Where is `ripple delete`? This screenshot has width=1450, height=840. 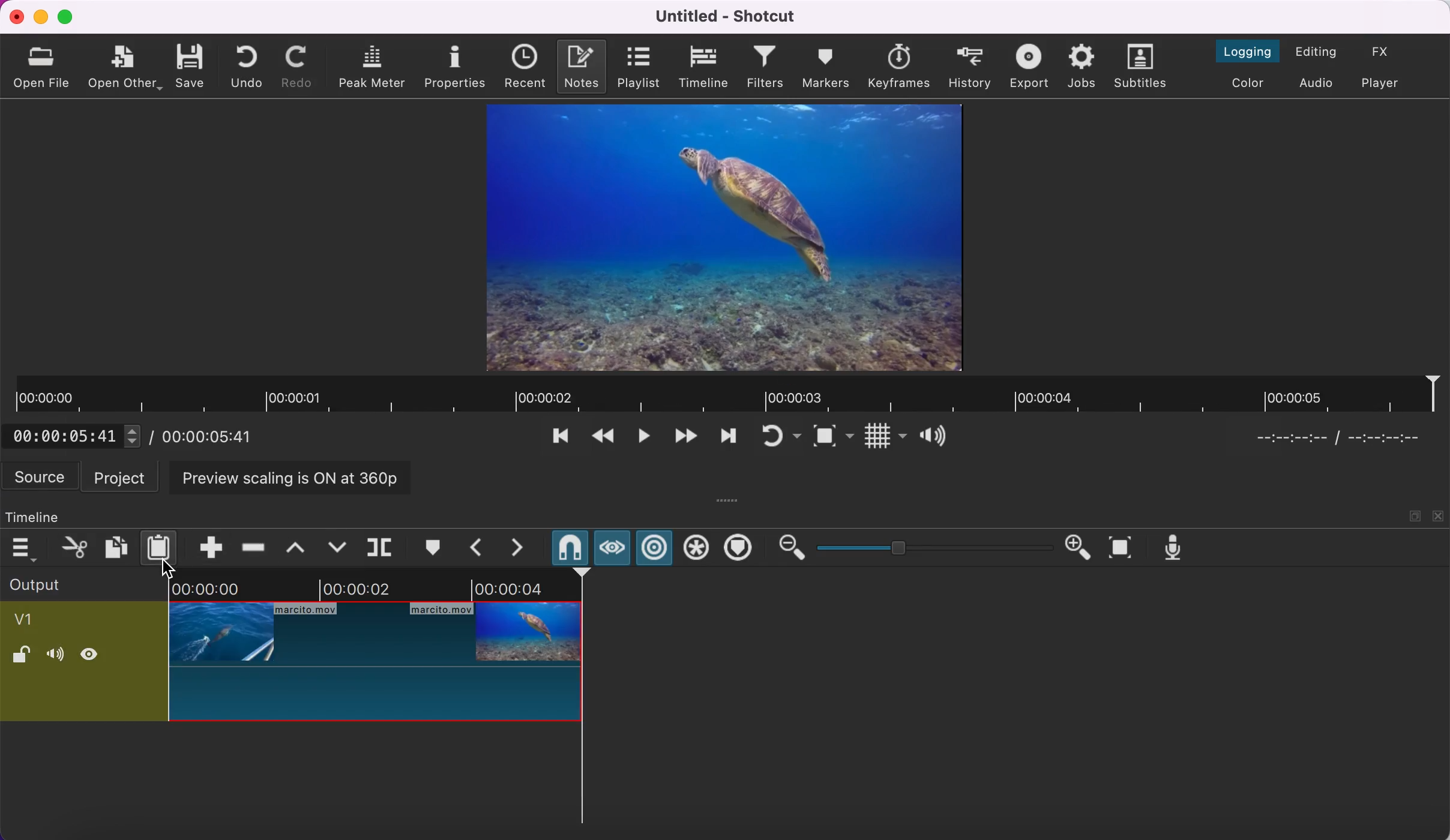
ripple delete is located at coordinates (251, 546).